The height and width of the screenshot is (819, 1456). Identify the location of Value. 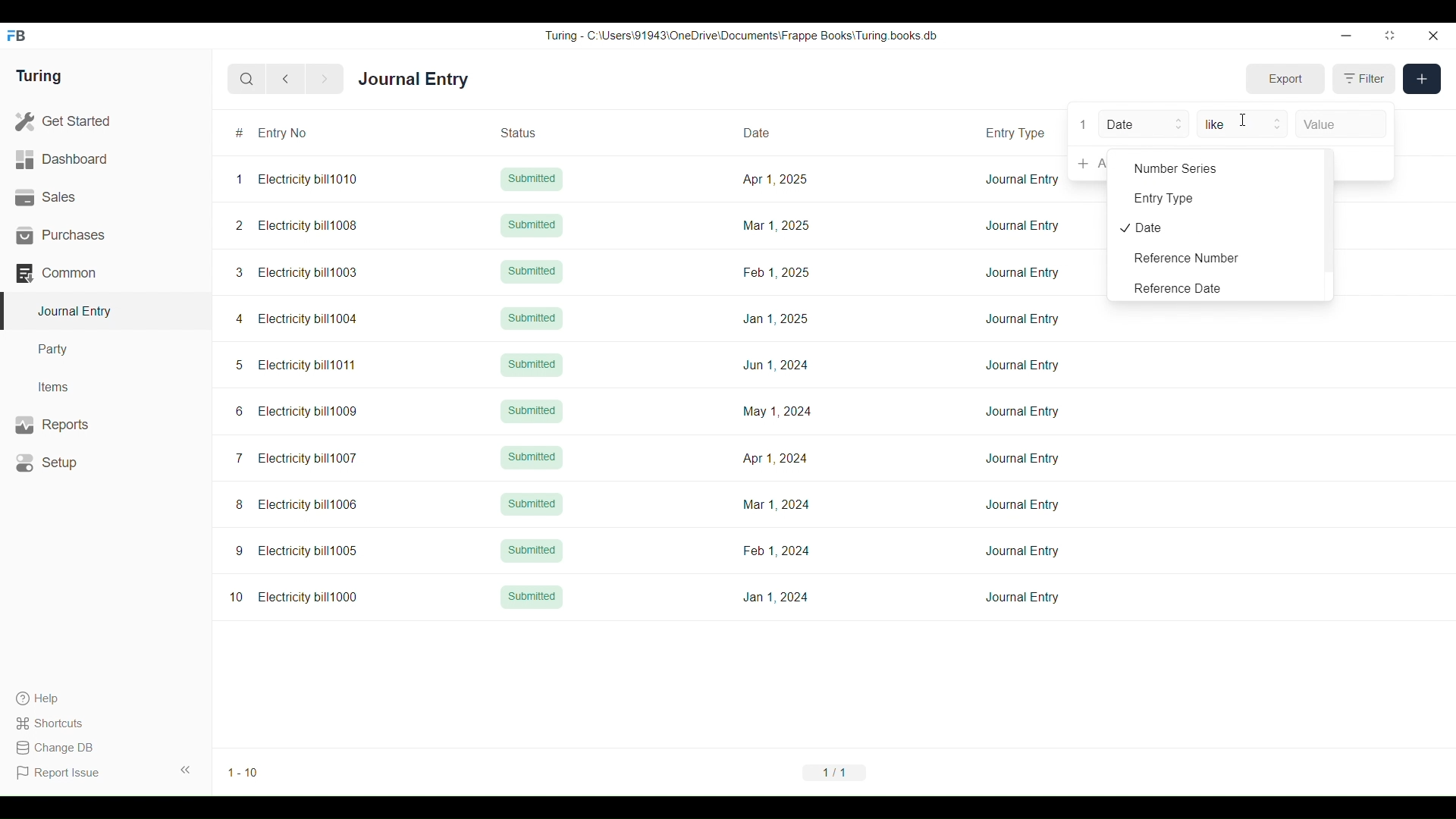
(1341, 124).